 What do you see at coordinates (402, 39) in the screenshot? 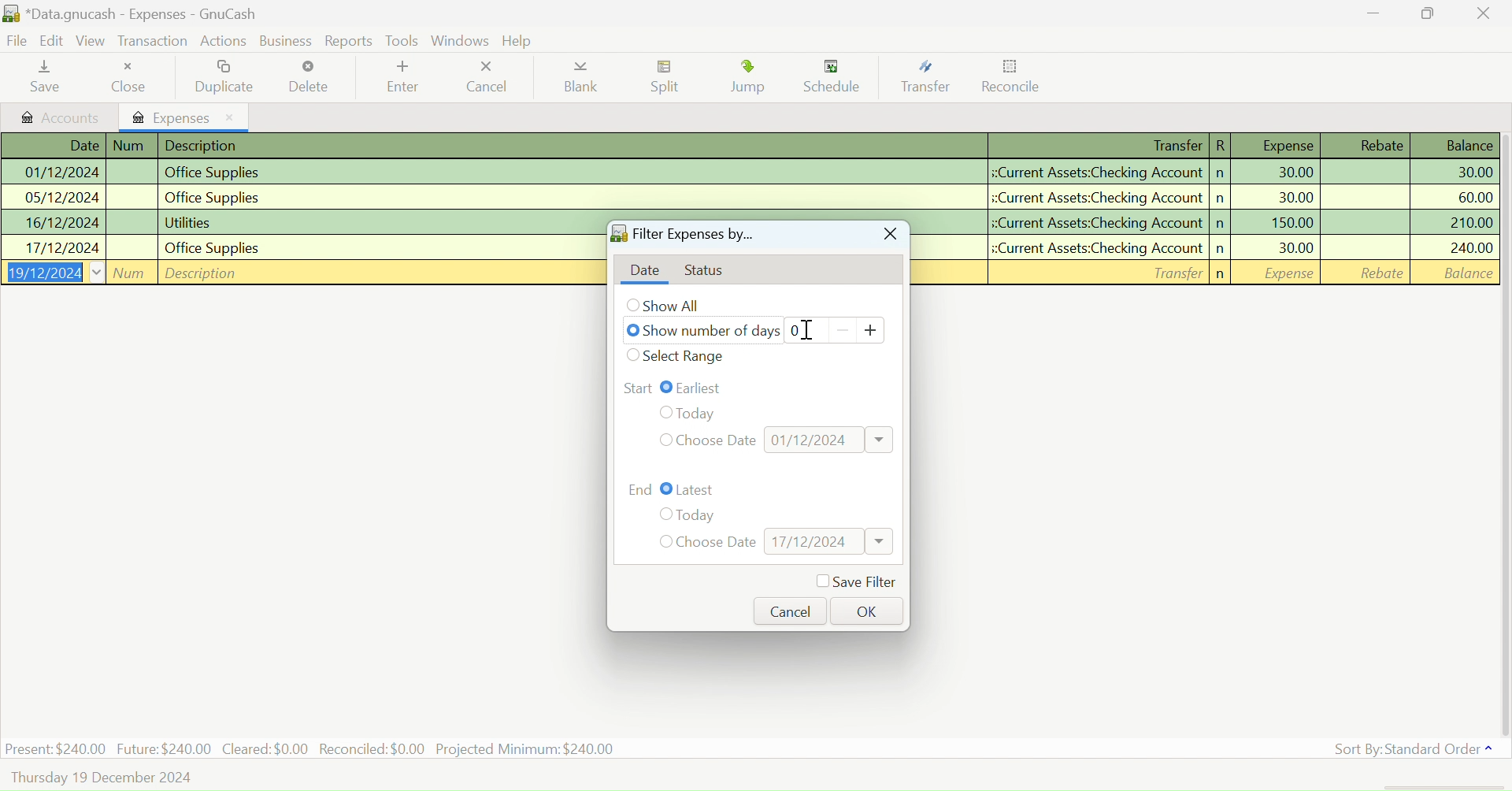
I see `Tools` at bounding box center [402, 39].